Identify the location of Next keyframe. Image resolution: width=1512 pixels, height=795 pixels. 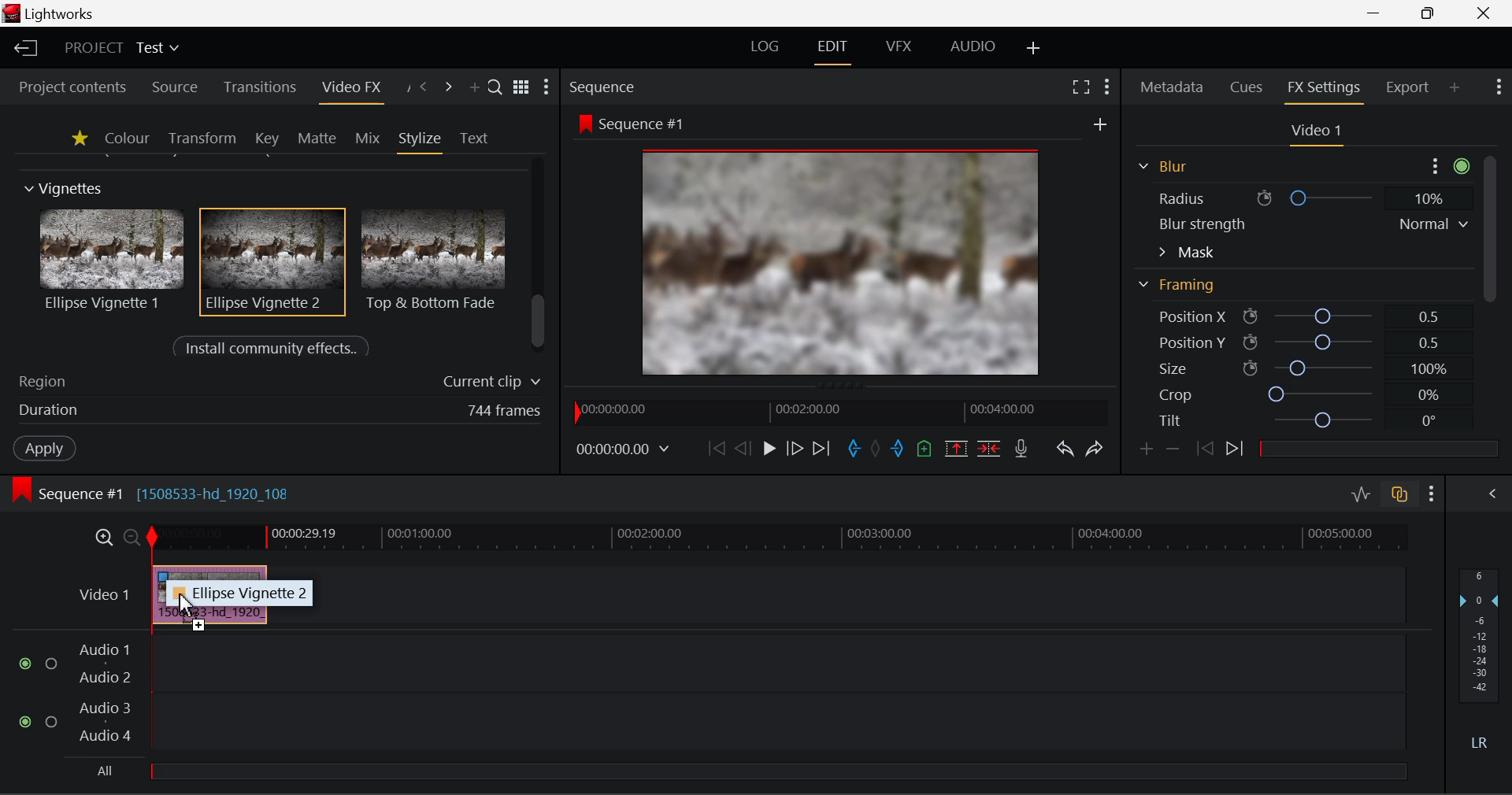
(1235, 452).